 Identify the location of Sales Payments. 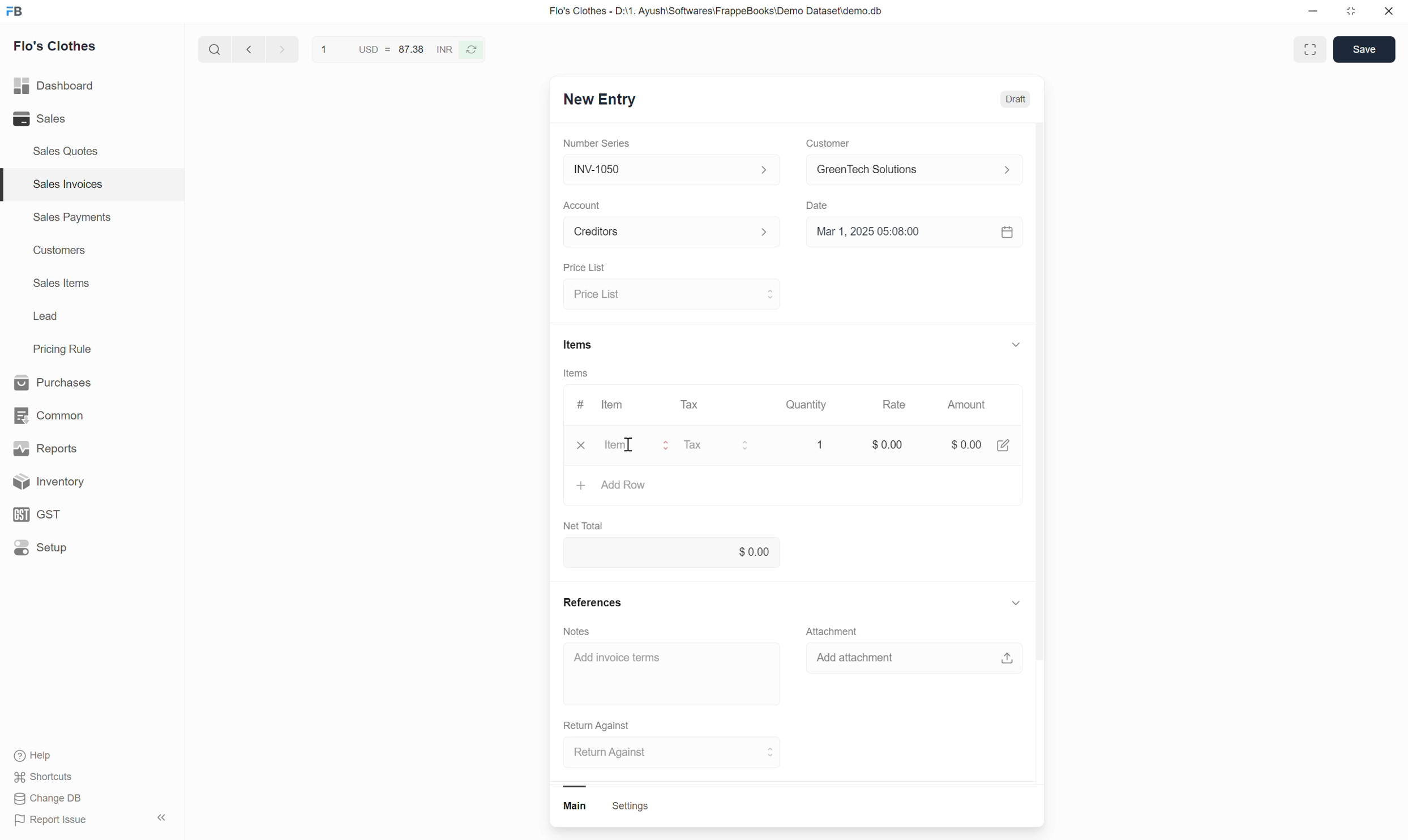
(71, 219).